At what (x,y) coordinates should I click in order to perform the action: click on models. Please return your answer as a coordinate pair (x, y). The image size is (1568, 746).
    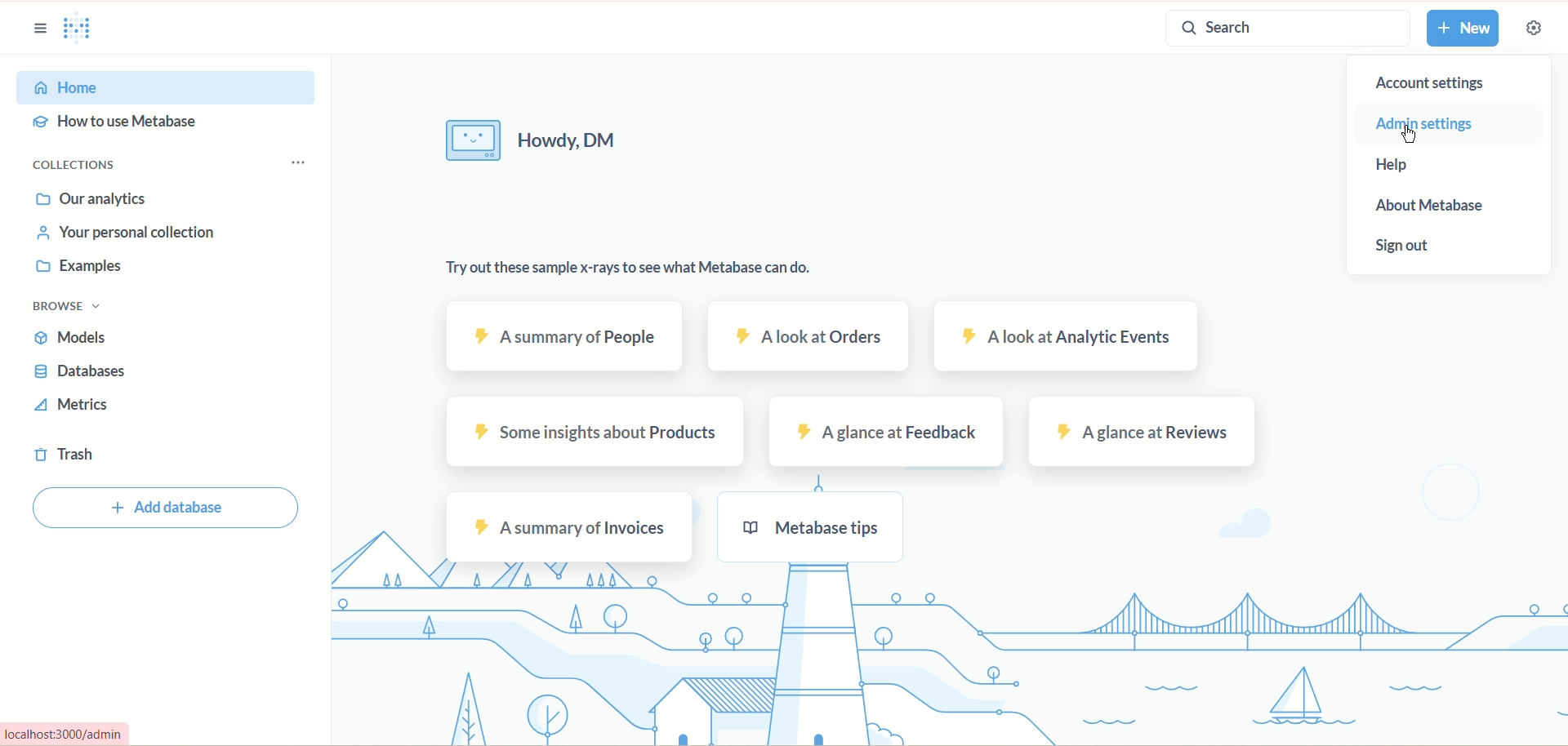
    Looking at the image, I should click on (73, 338).